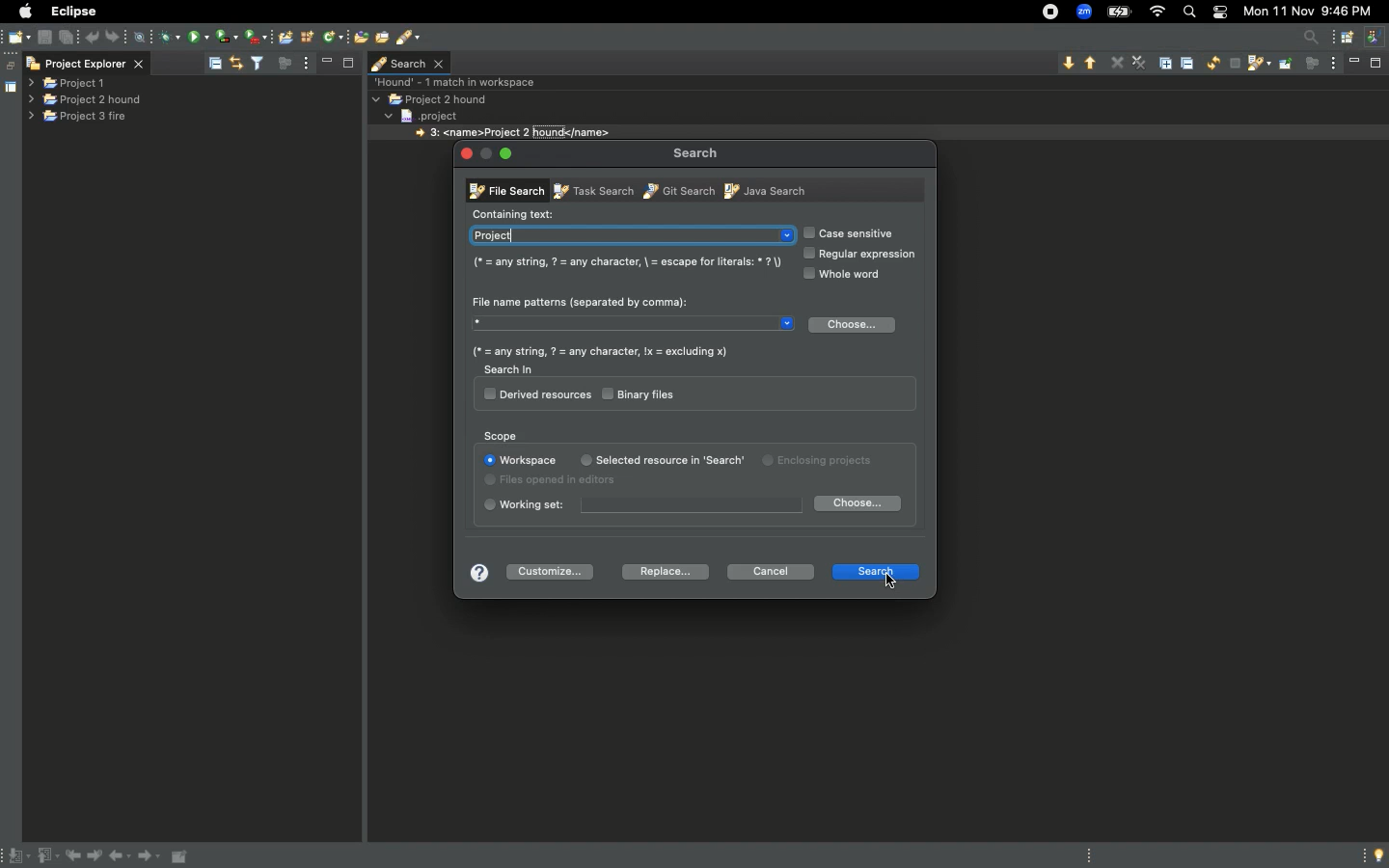  What do you see at coordinates (1, 88) in the screenshot?
I see `shared area` at bounding box center [1, 88].